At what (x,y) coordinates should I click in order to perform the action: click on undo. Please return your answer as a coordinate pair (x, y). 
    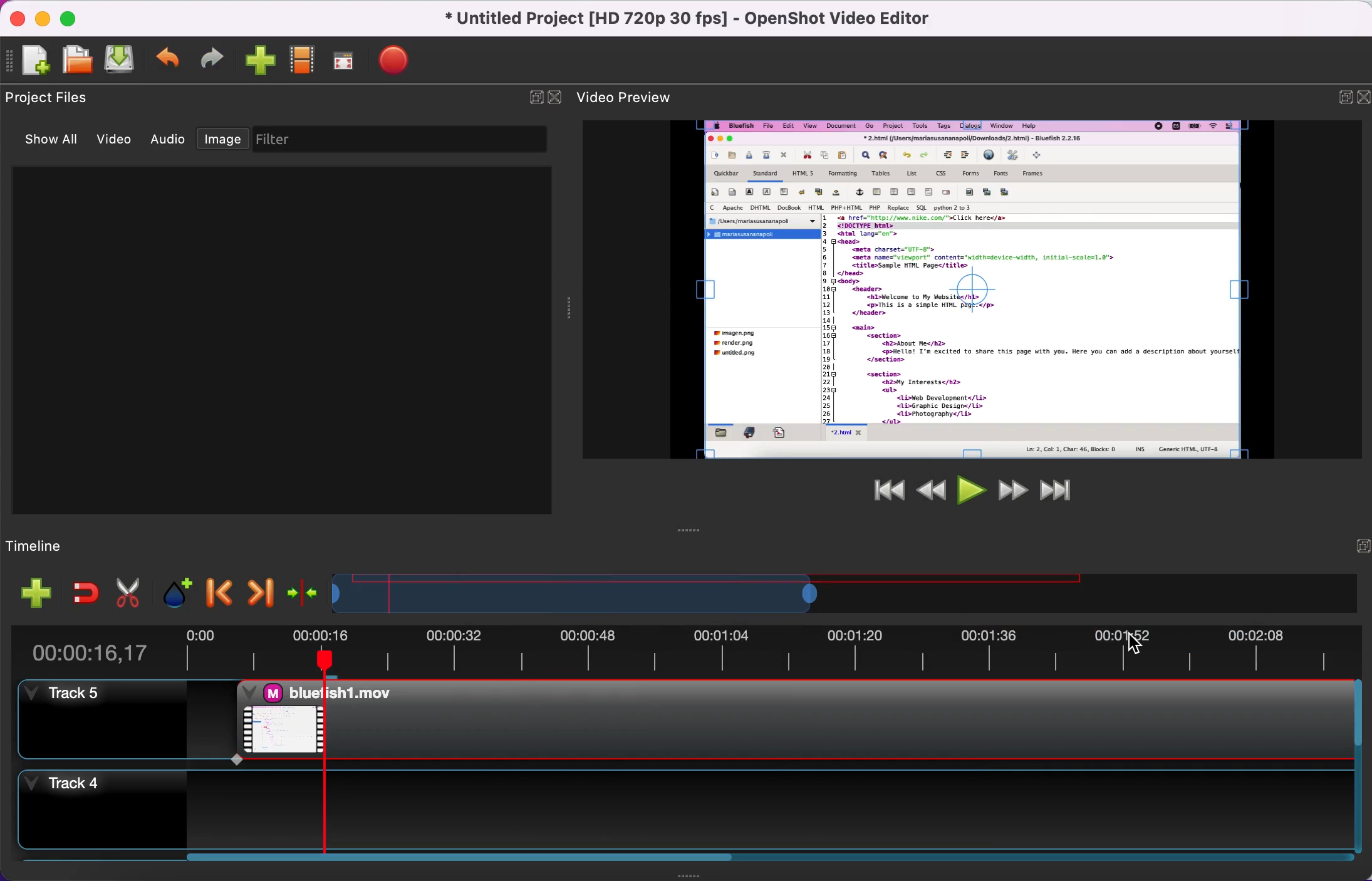
    Looking at the image, I should click on (170, 59).